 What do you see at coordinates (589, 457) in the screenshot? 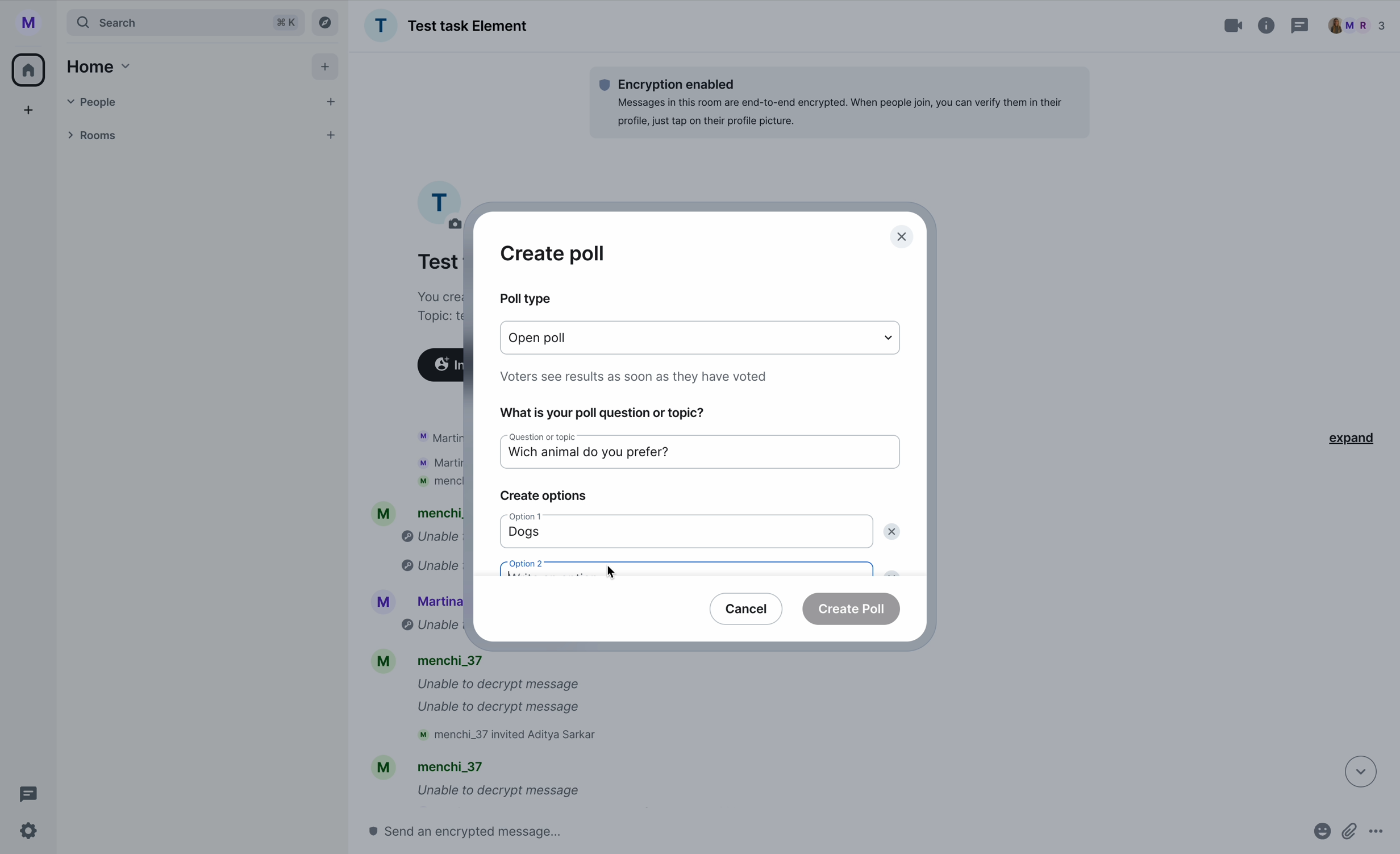
I see `which animal do you prefer` at bounding box center [589, 457].